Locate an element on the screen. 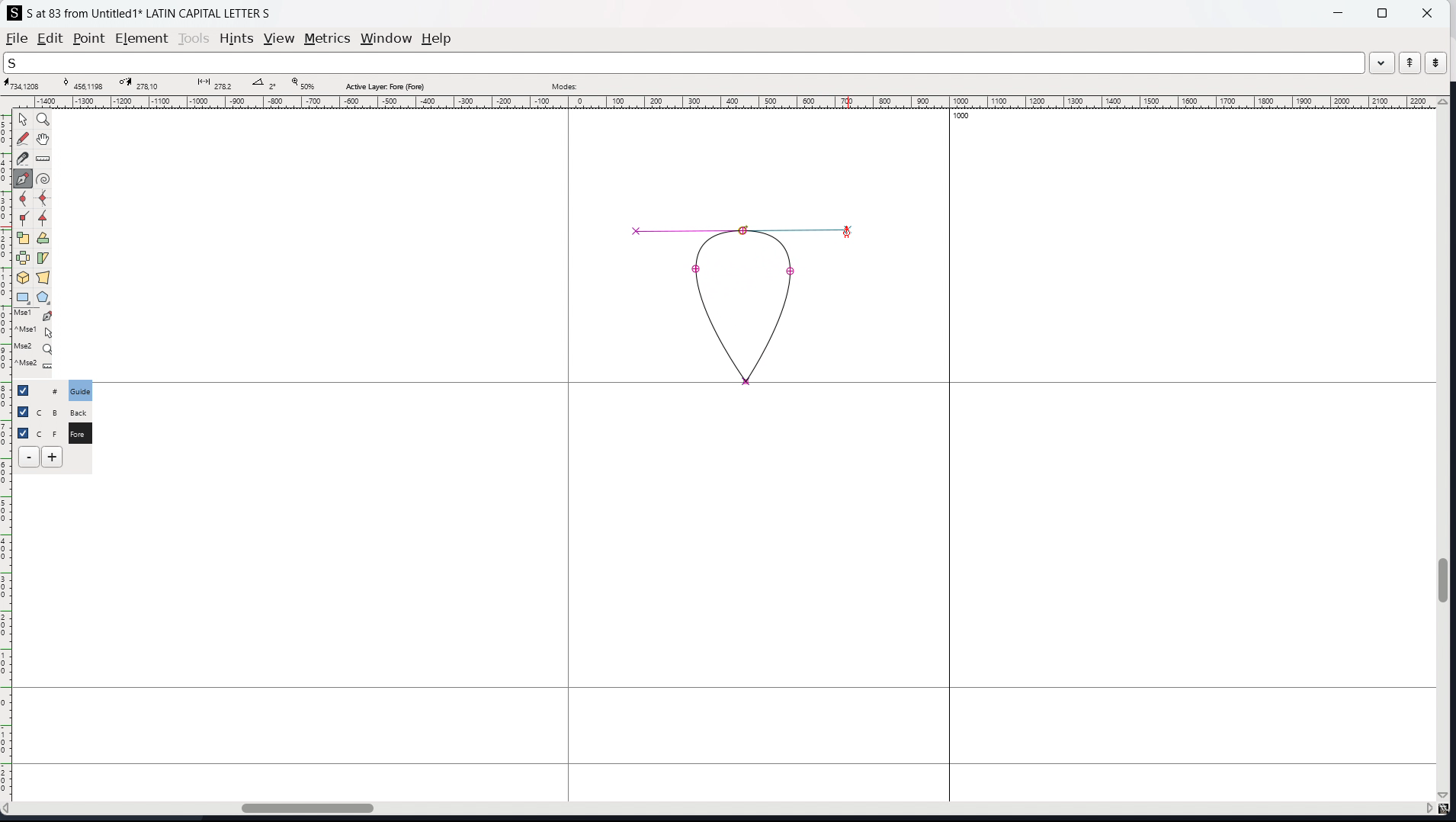 The width and height of the screenshot is (1456, 822). point is located at coordinates (88, 40).